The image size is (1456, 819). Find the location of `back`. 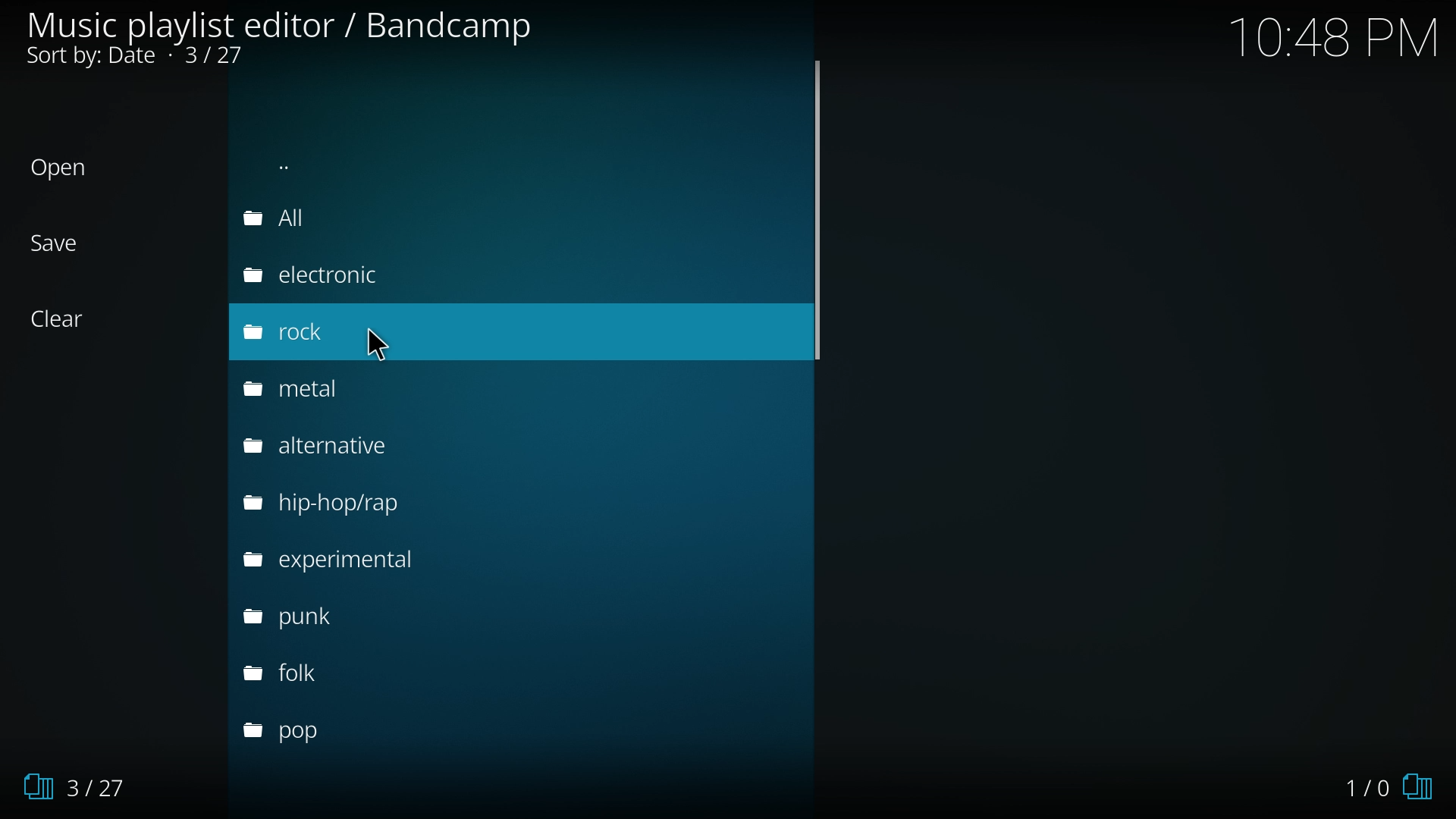

back is located at coordinates (349, 163).